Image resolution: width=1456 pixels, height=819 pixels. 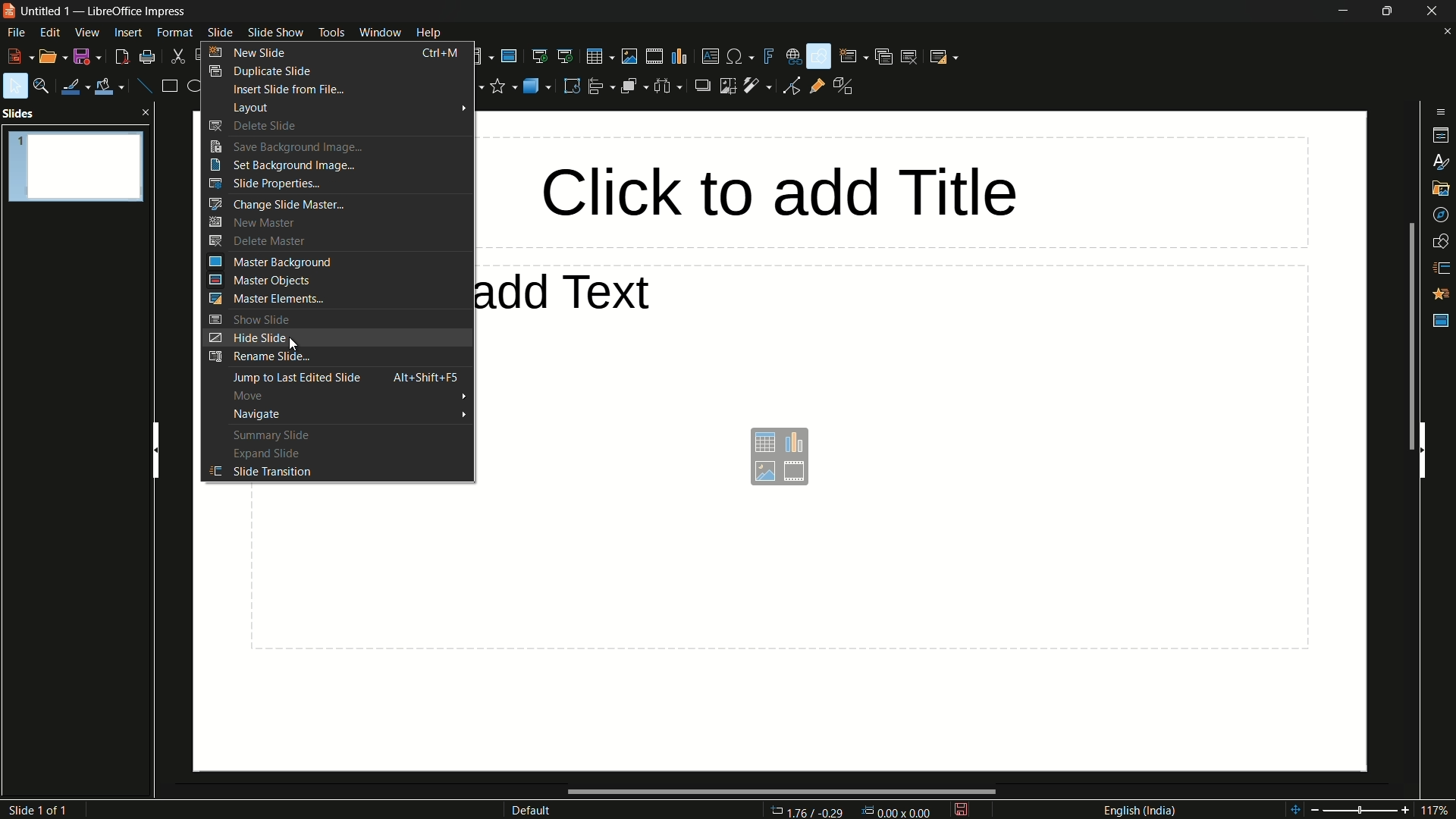 What do you see at coordinates (1295, 811) in the screenshot?
I see `shift` at bounding box center [1295, 811].